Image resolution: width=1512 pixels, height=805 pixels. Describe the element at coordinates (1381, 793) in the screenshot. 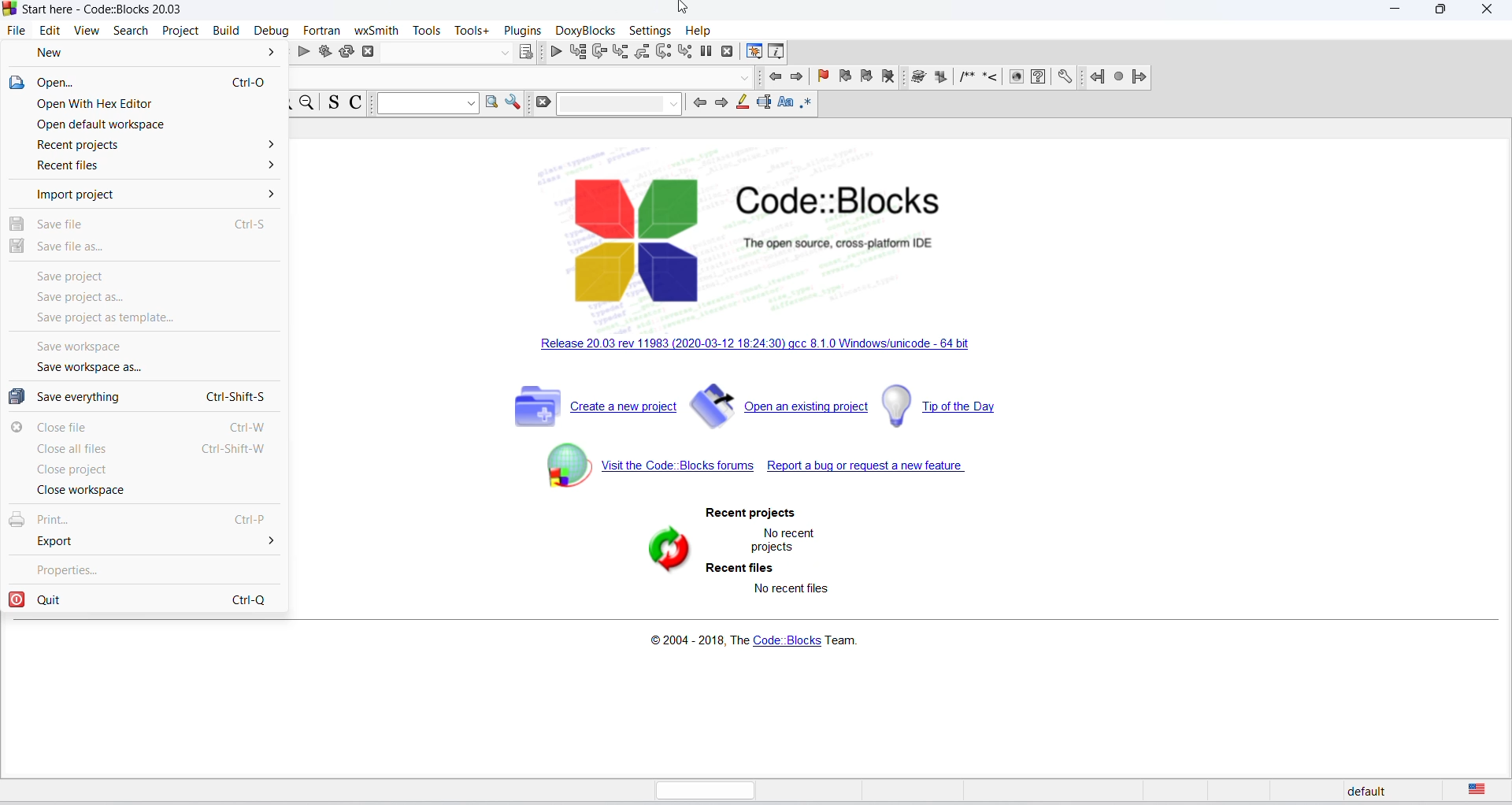

I see `default` at that location.